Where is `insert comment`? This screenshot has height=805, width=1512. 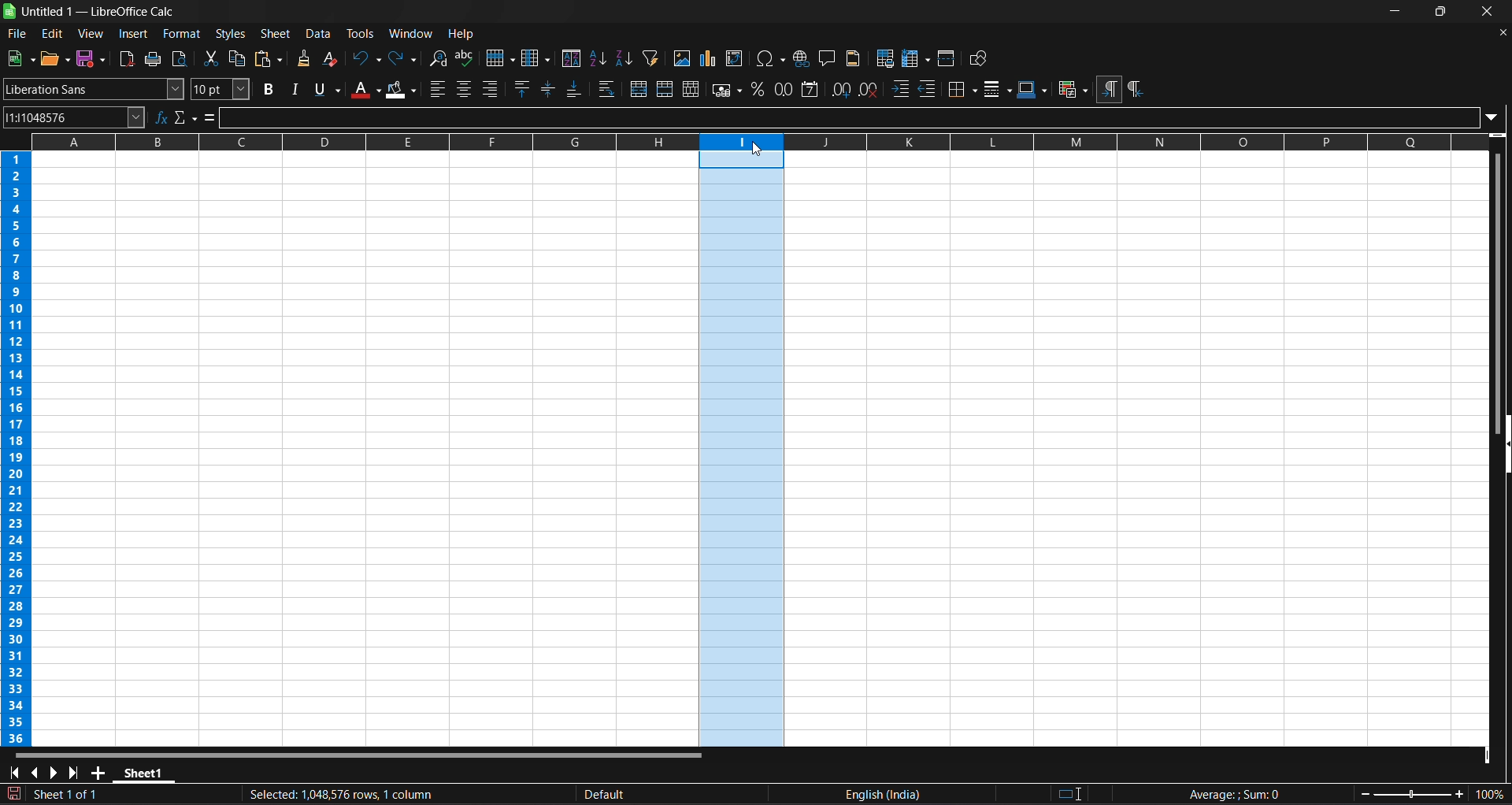 insert comment is located at coordinates (830, 57).